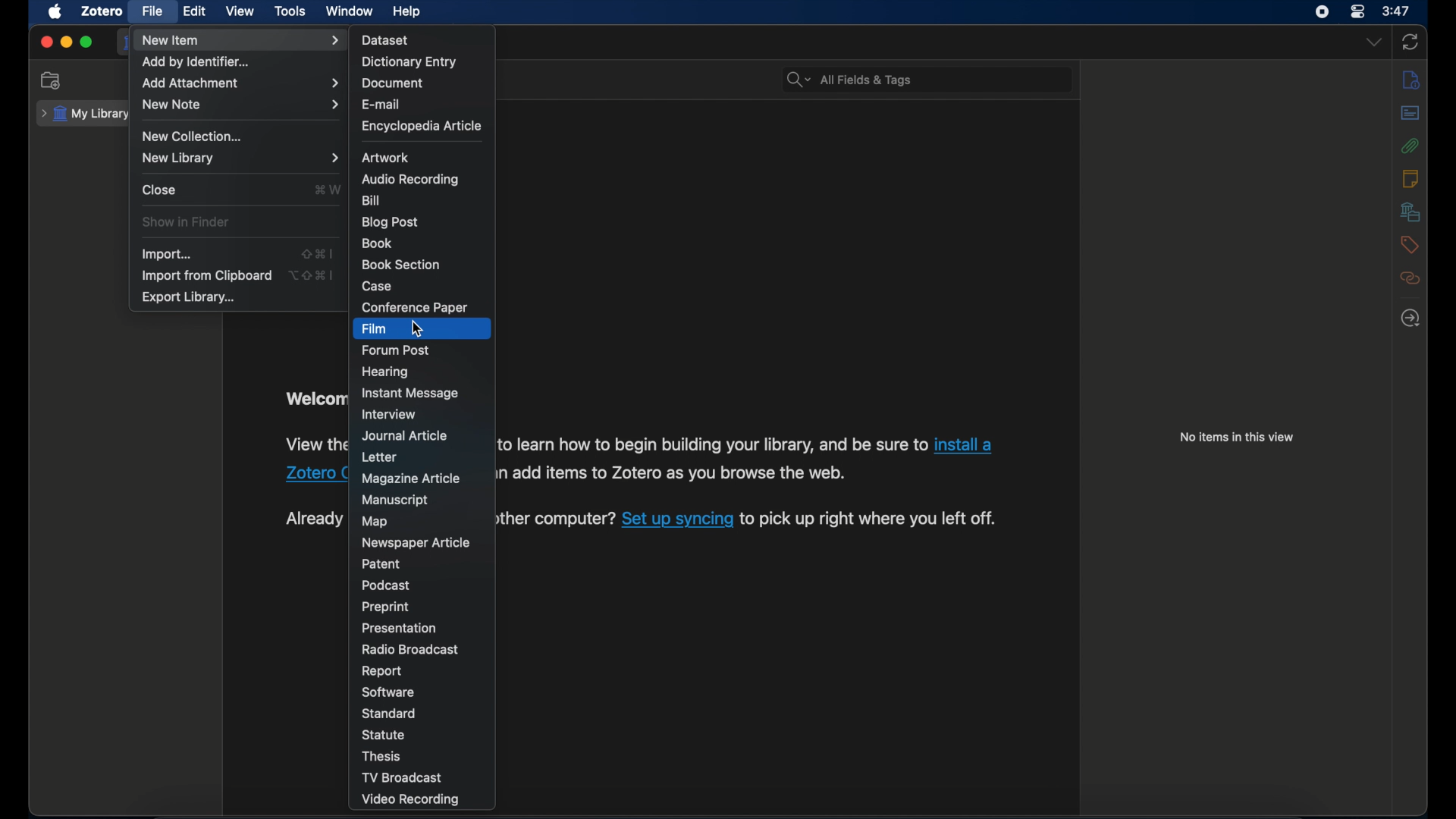 The image size is (1456, 819). What do you see at coordinates (65, 42) in the screenshot?
I see `minimize` at bounding box center [65, 42].